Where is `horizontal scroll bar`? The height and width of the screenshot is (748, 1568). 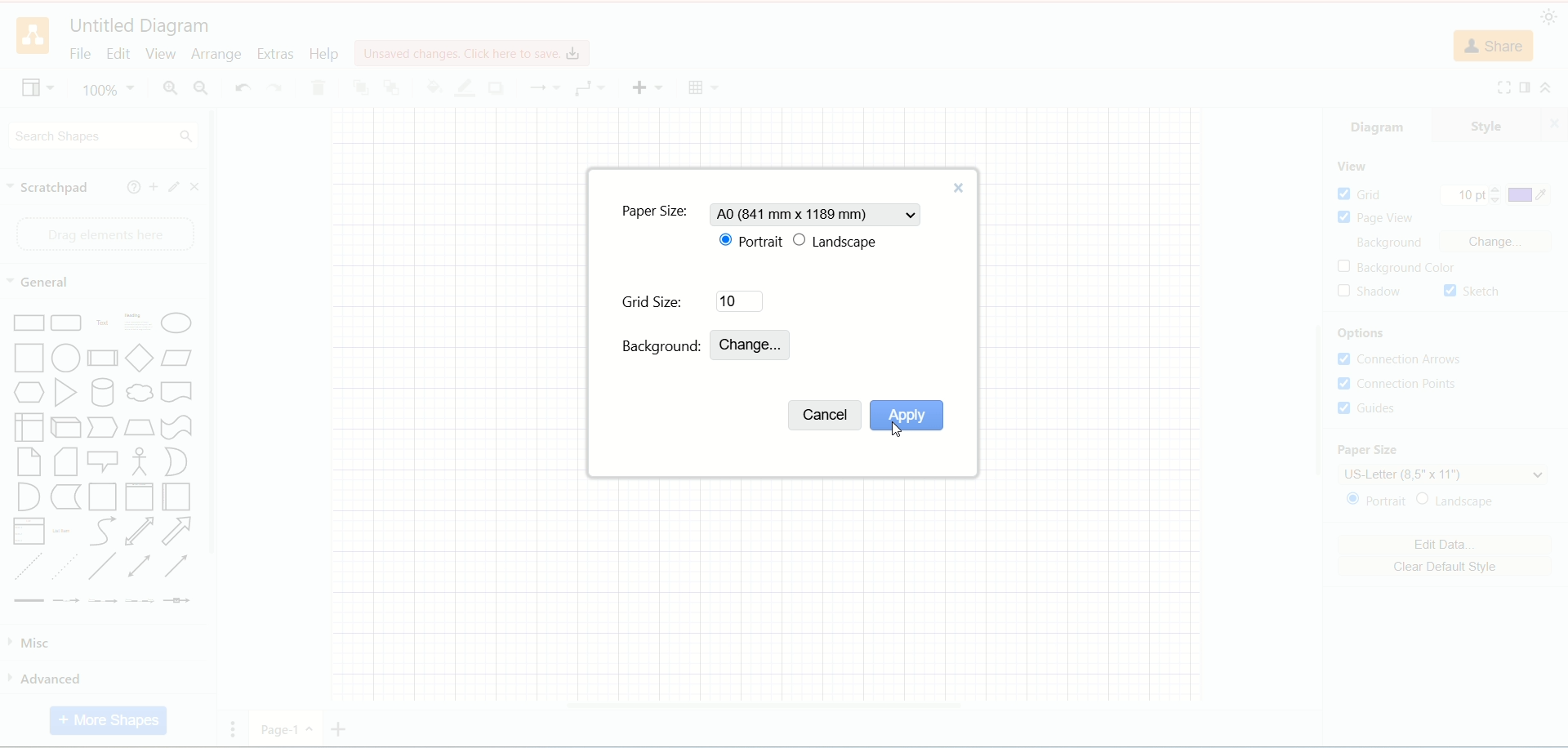 horizontal scroll bar is located at coordinates (763, 709).